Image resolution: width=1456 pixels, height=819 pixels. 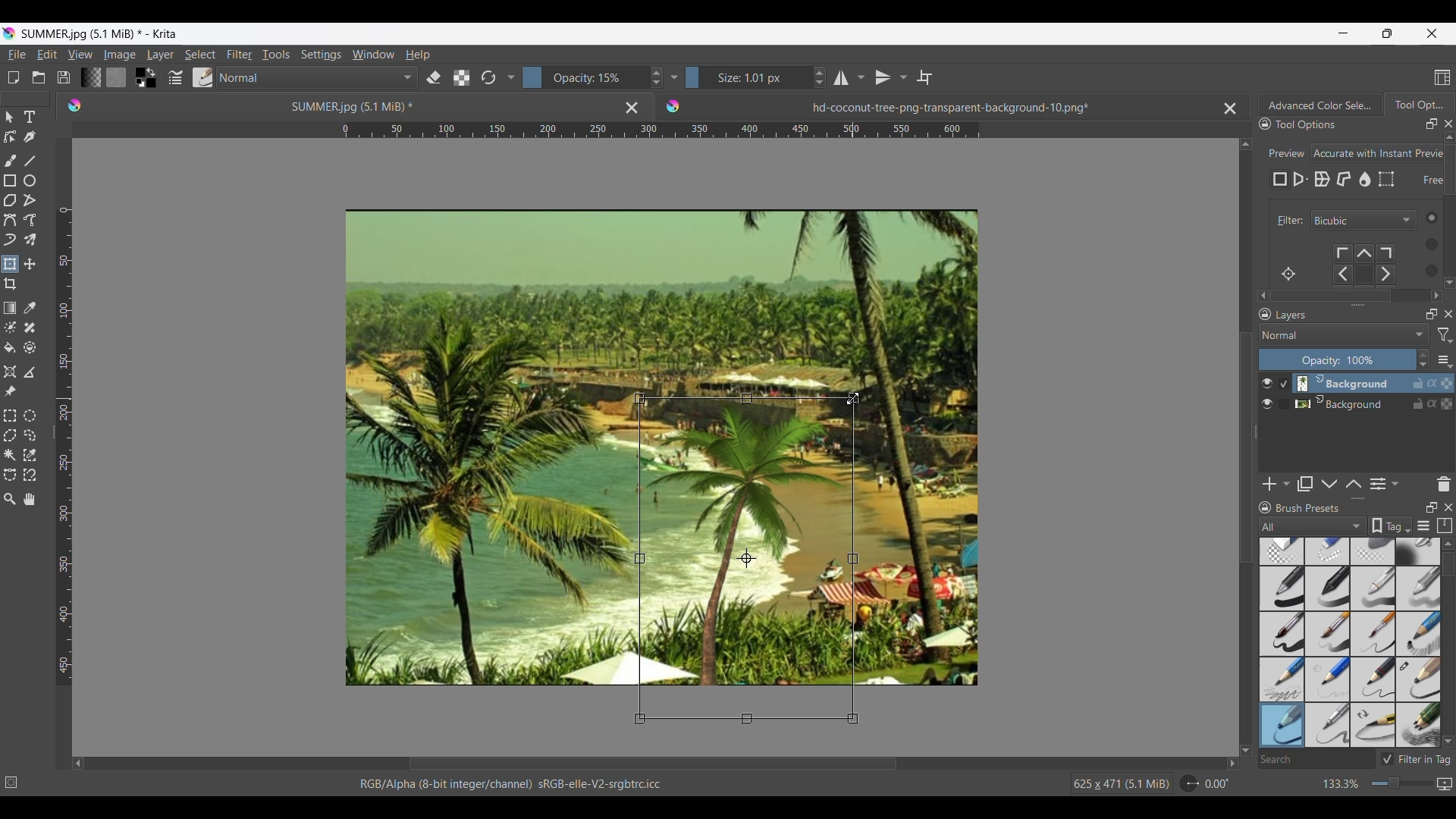 What do you see at coordinates (1280, 180) in the screenshot?
I see `Free` at bounding box center [1280, 180].